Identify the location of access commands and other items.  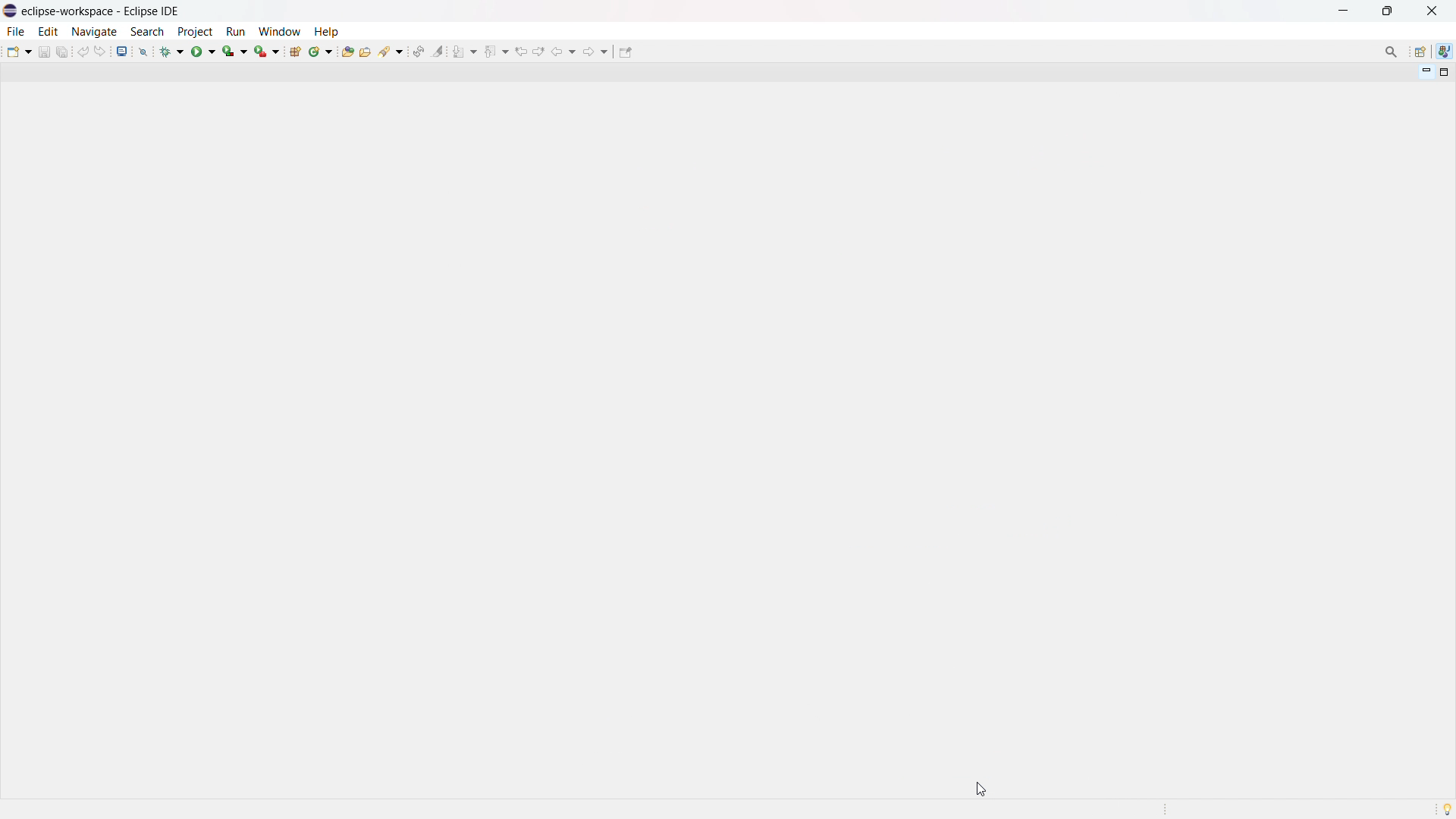
(1392, 52).